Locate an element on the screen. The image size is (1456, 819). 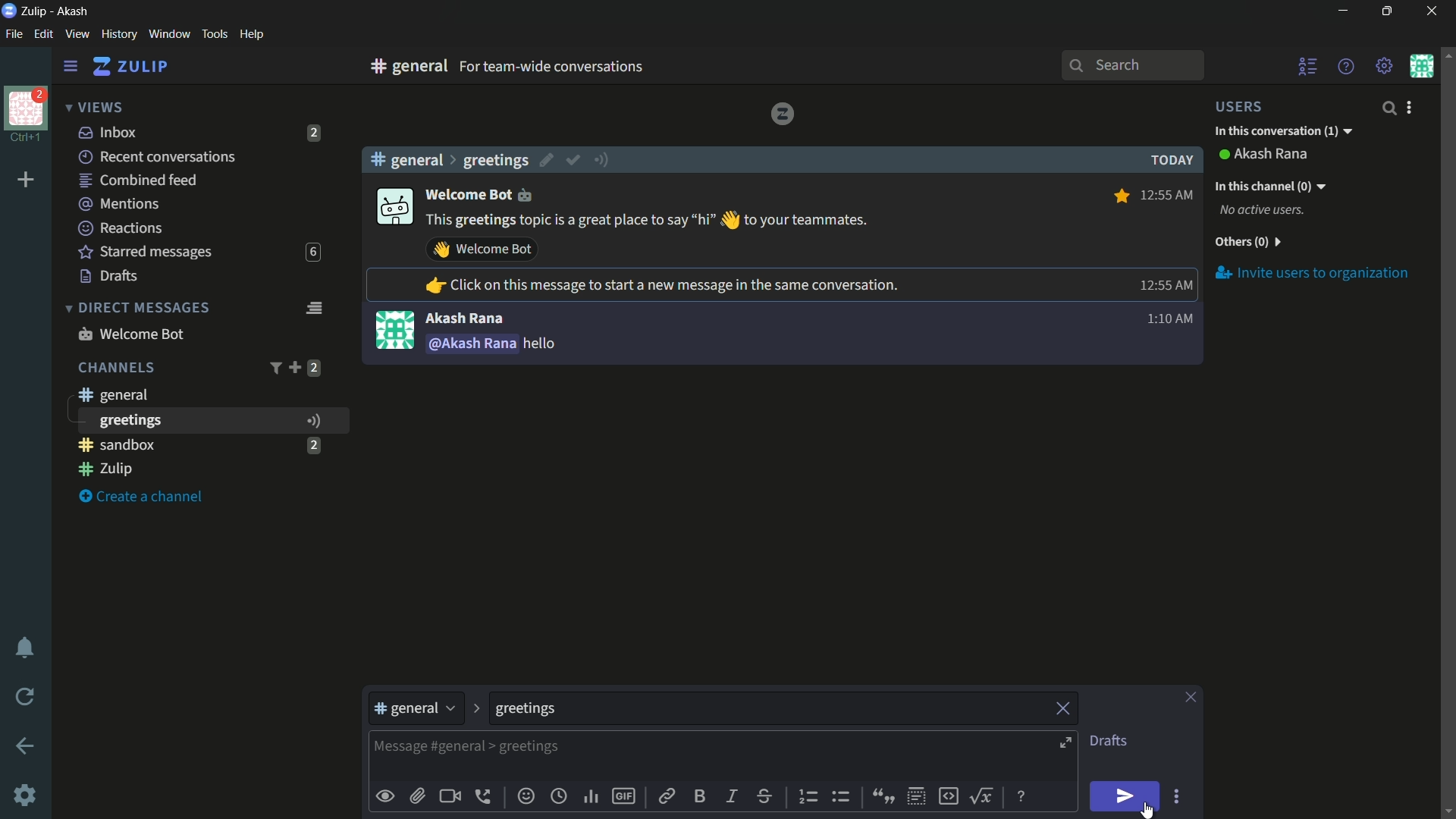
scroll down is located at coordinates (1447, 811).